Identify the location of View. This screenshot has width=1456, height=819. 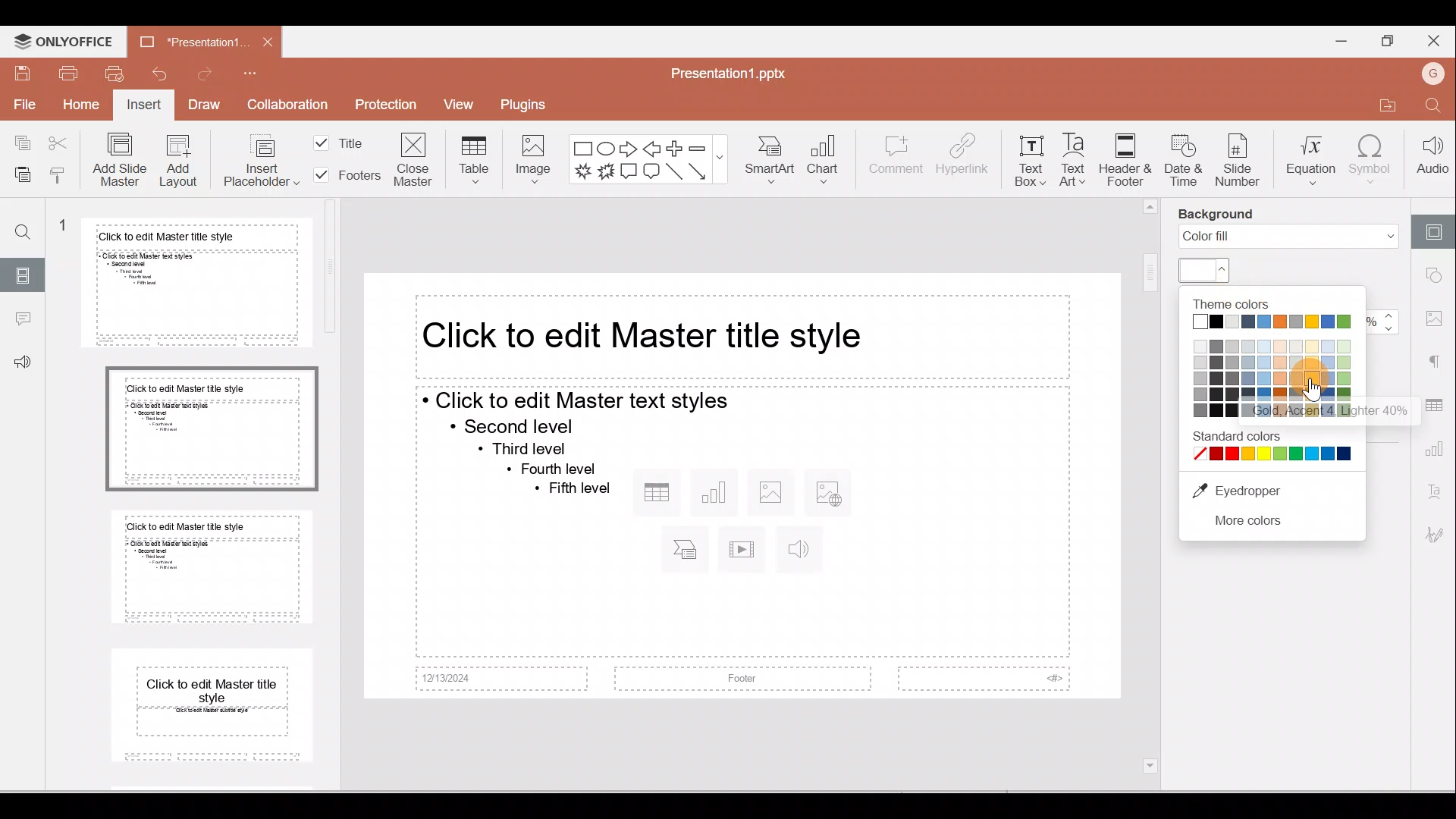
(461, 106).